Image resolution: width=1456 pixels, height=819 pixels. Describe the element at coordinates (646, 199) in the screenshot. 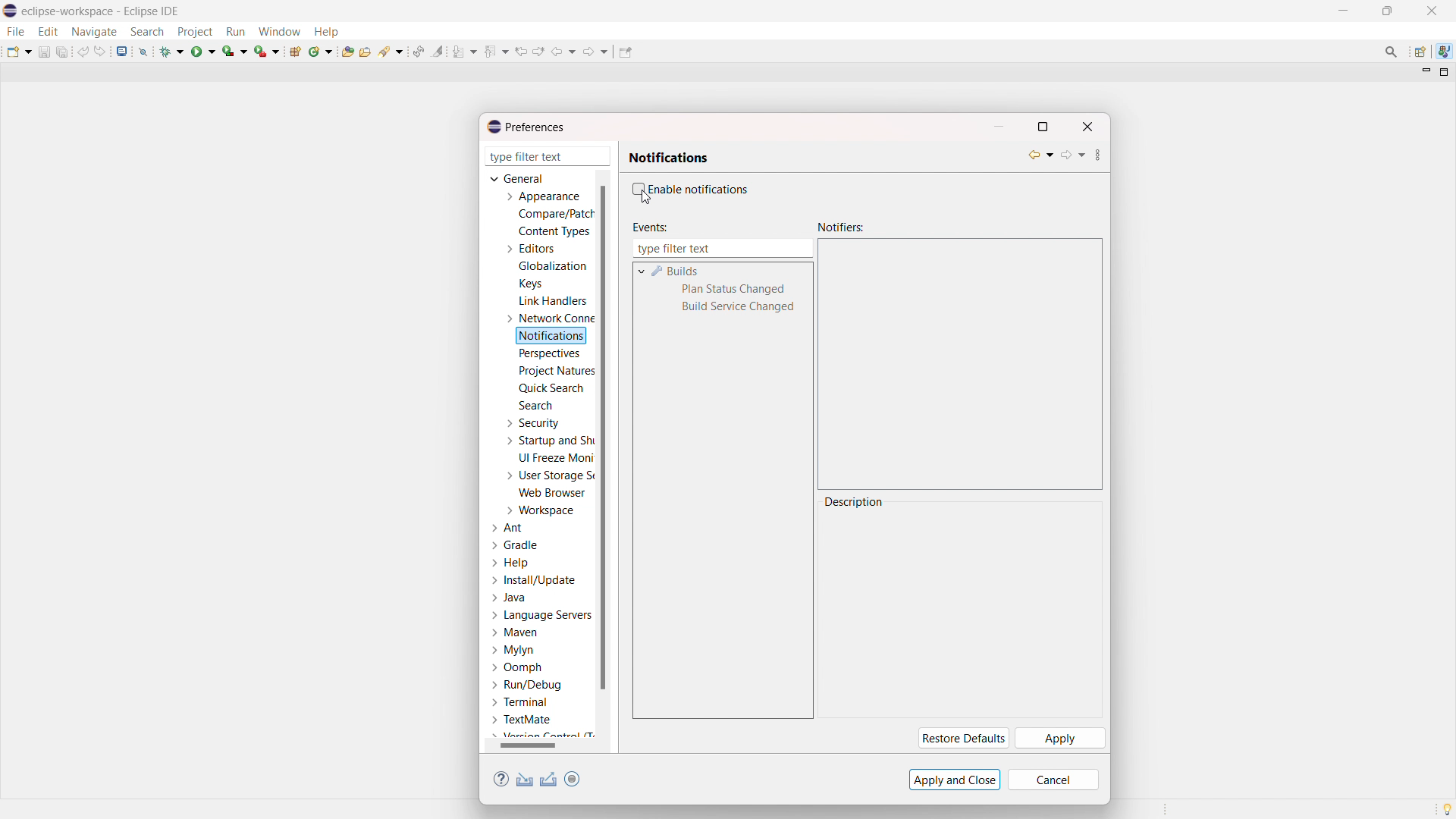

I see `cursor` at that location.